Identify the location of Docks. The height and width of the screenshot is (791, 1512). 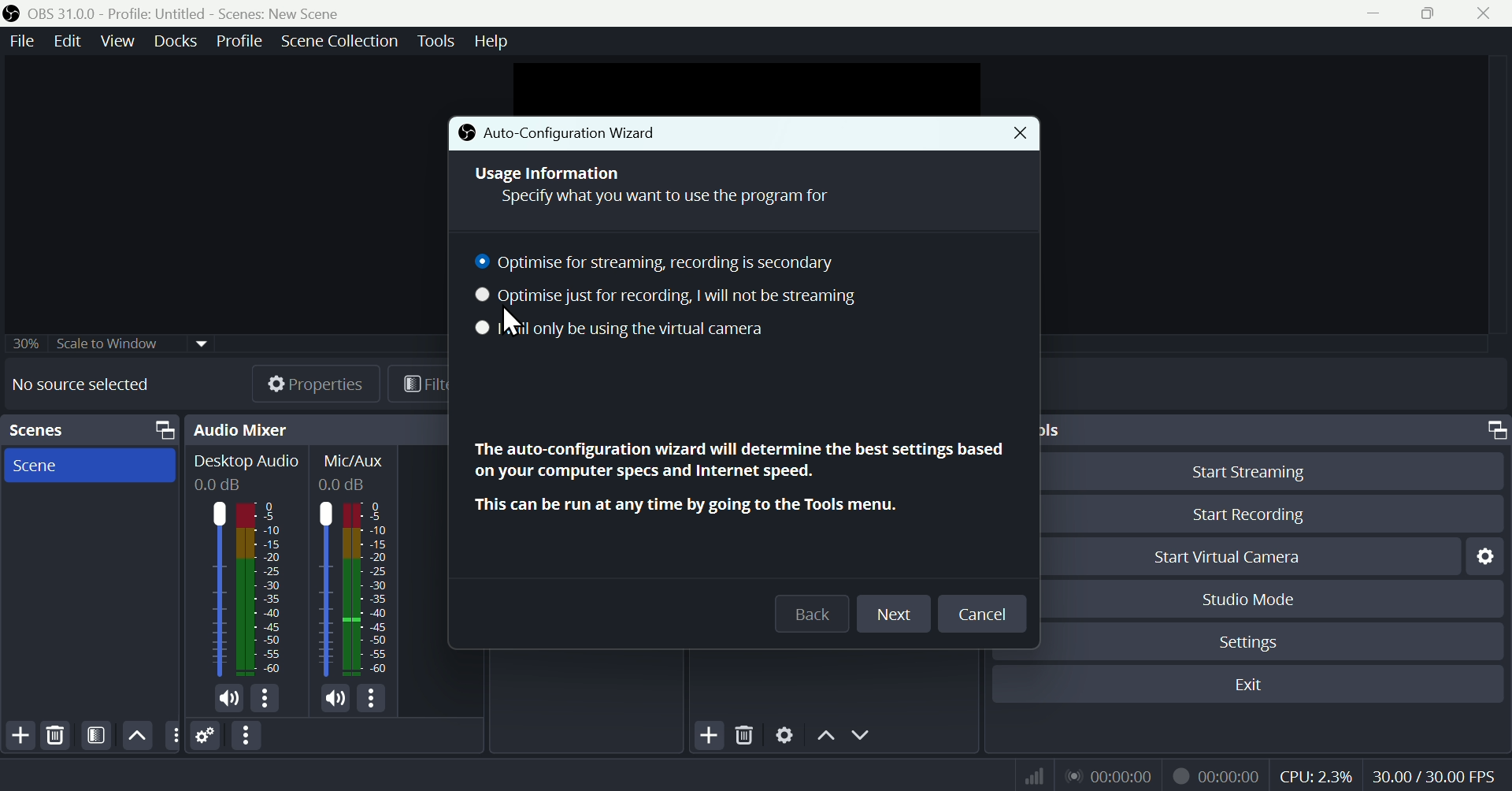
(170, 41).